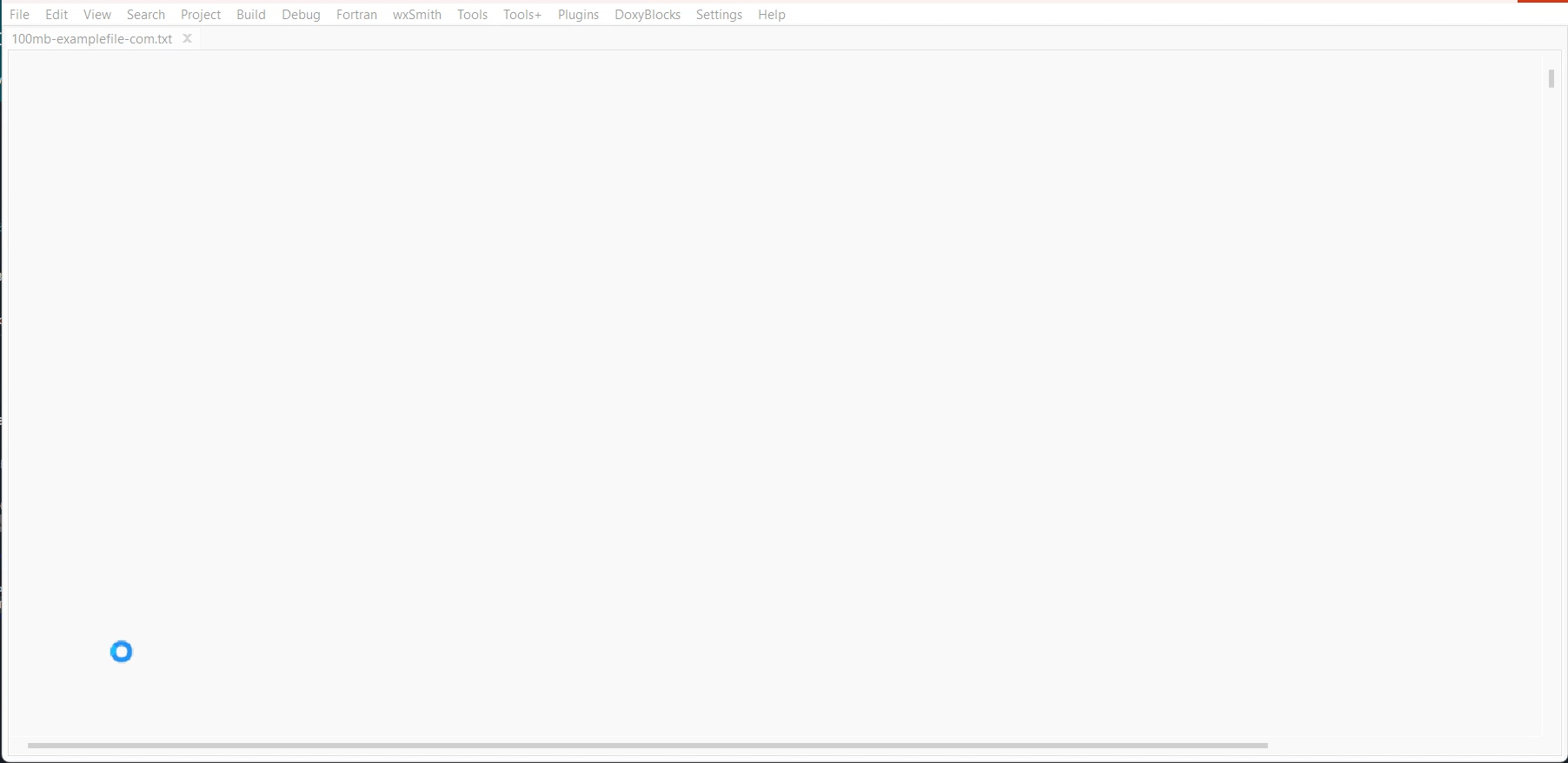 This screenshot has width=1568, height=763. What do you see at coordinates (784, 745) in the screenshot?
I see `Horizontal scroll bar` at bounding box center [784, 745].